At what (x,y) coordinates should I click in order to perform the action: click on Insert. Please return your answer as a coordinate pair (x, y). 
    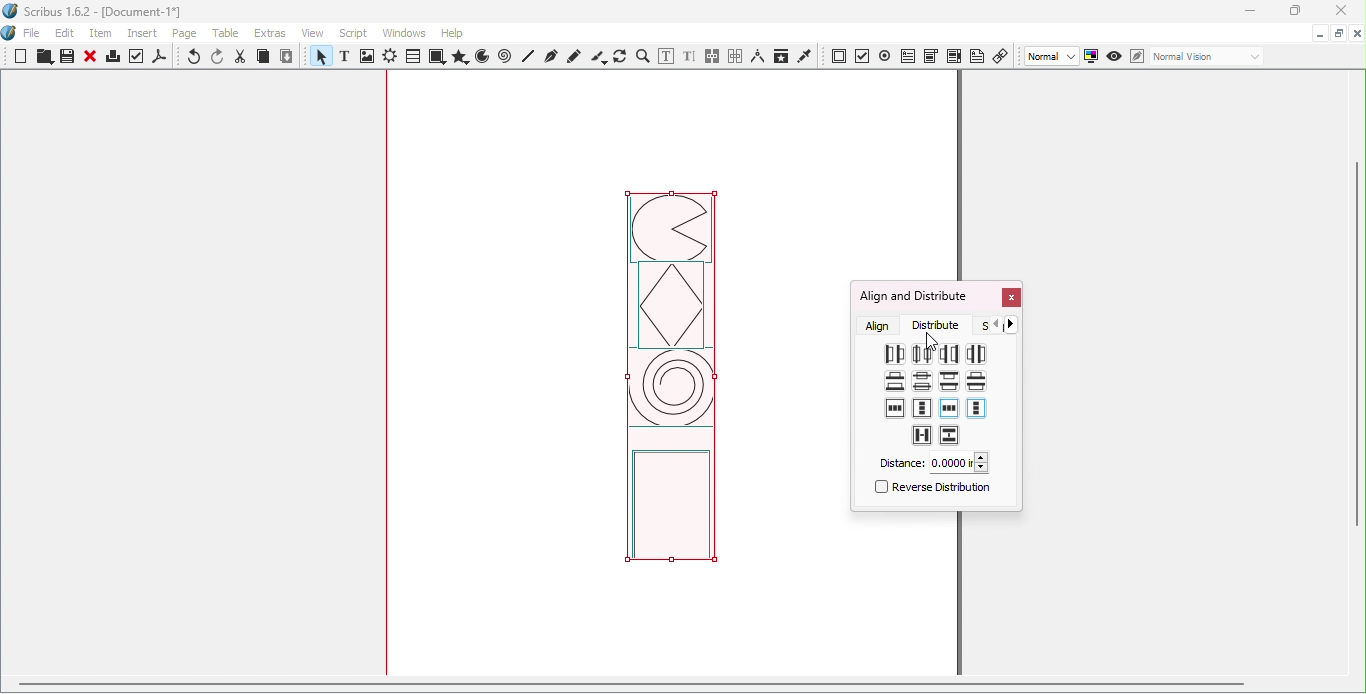
    Looking at the image, I should click on (145, 31).